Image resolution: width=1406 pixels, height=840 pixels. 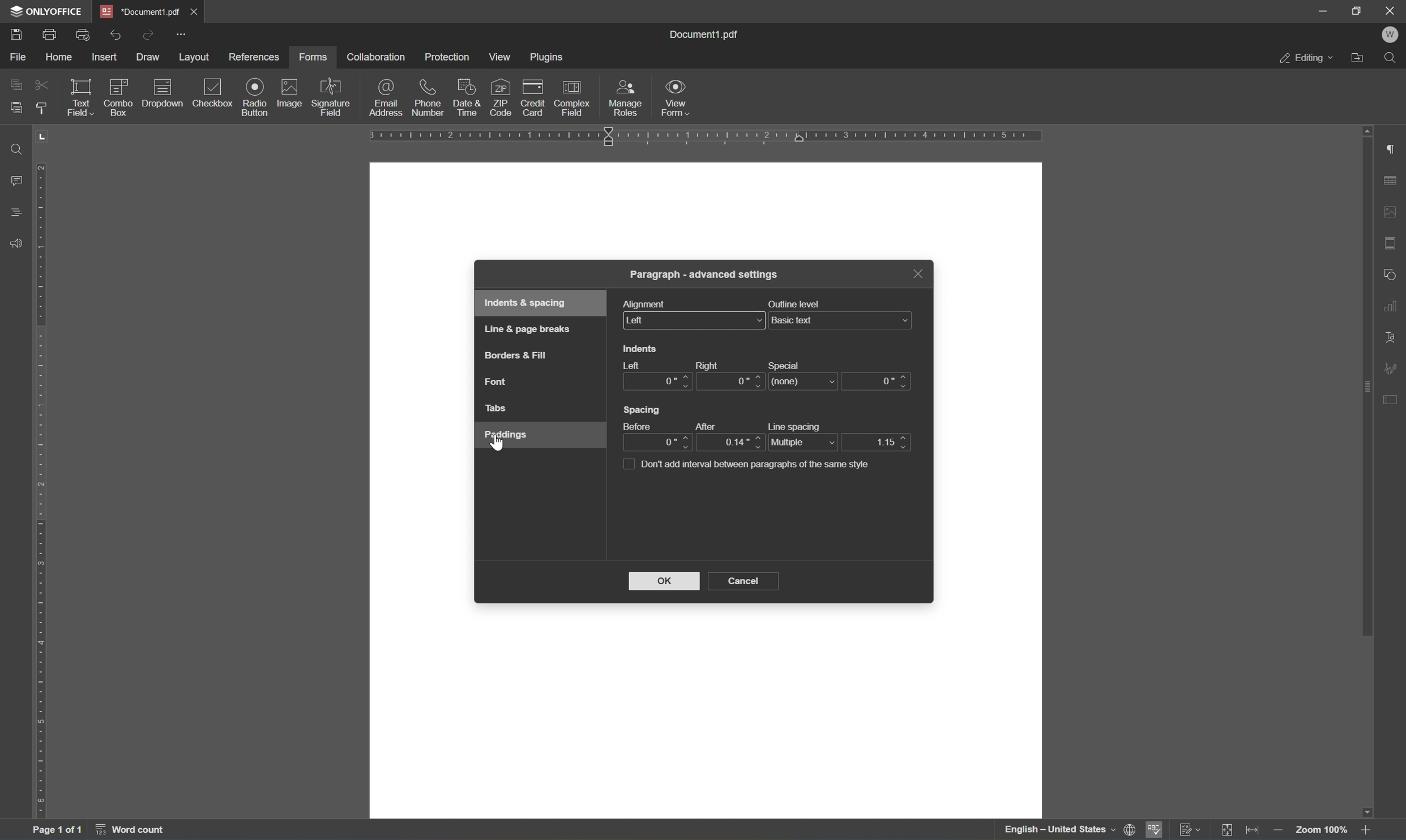 I want to click on 1.15, so click(x=875, y=441).